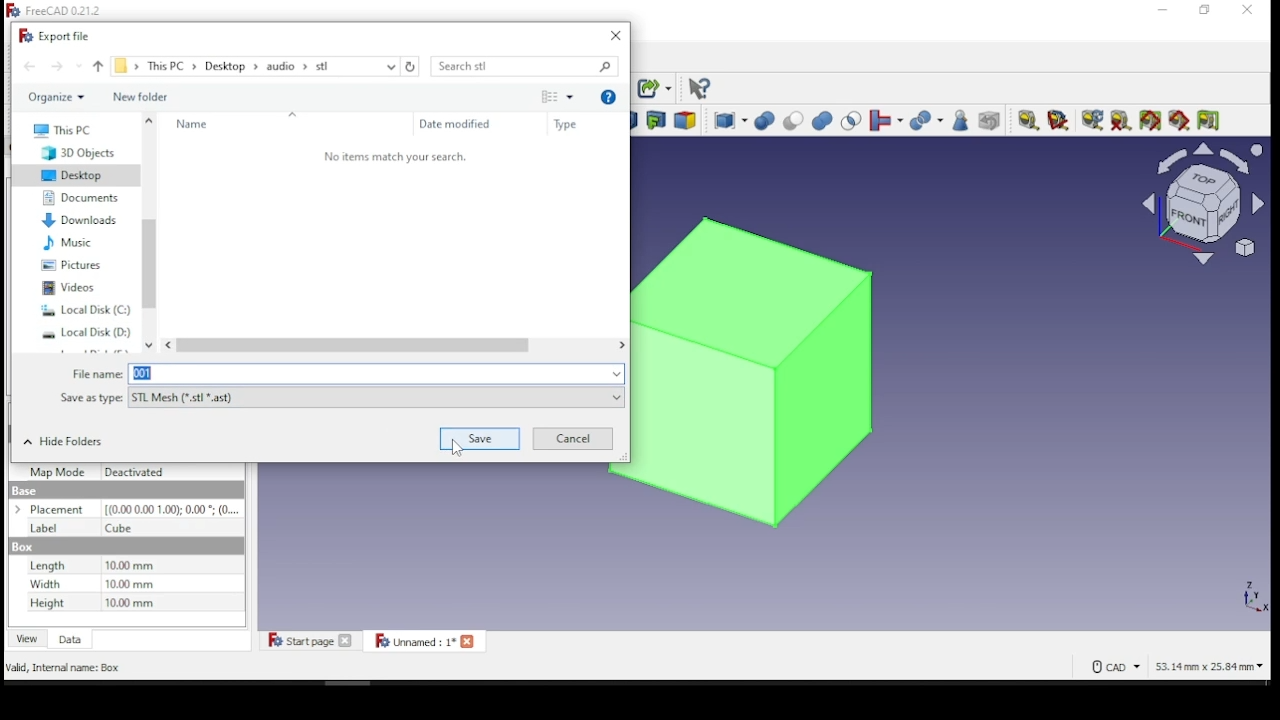 The image size is (1280, 720). What do you see at coordinates (310, 640) in the screenshot?
I see `start page` at bounding box center [310, 640].